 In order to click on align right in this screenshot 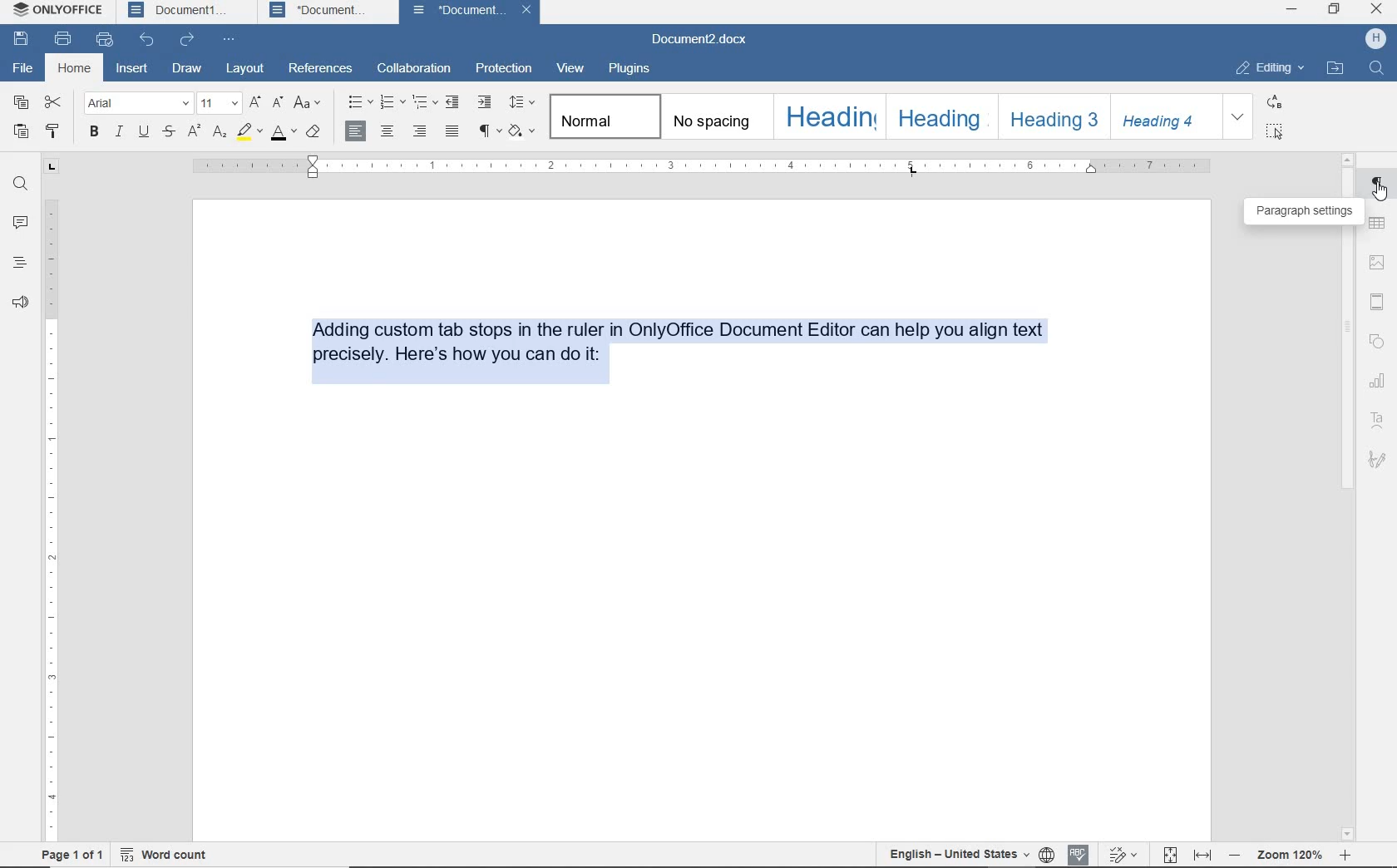, I will do `click(420, 131)`.